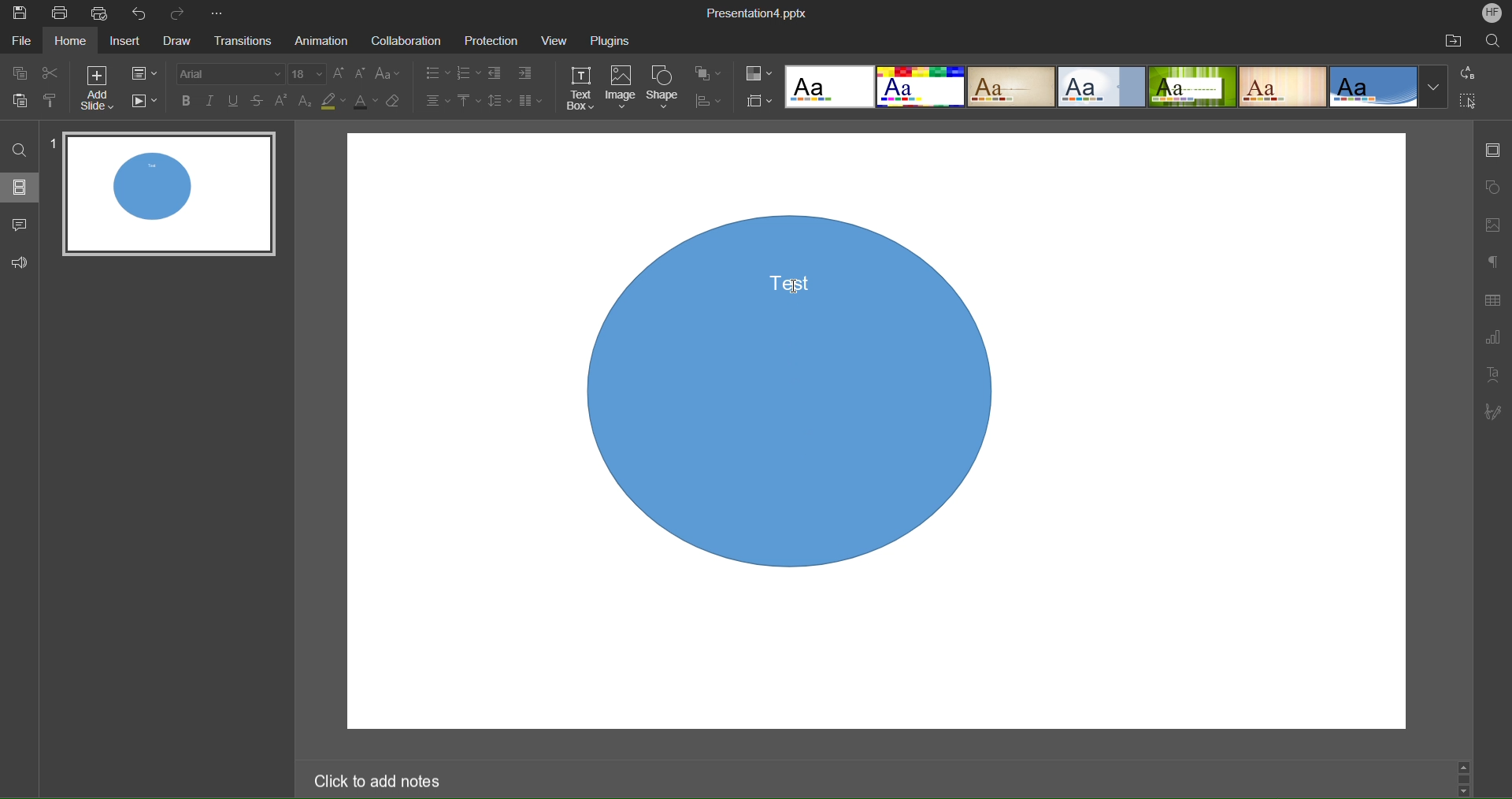 The height and width of the screenshot is (799, 1512). Describe the element at coordinates (474, 102) in the screenshot. I see `Vertical Alignment` at that location.